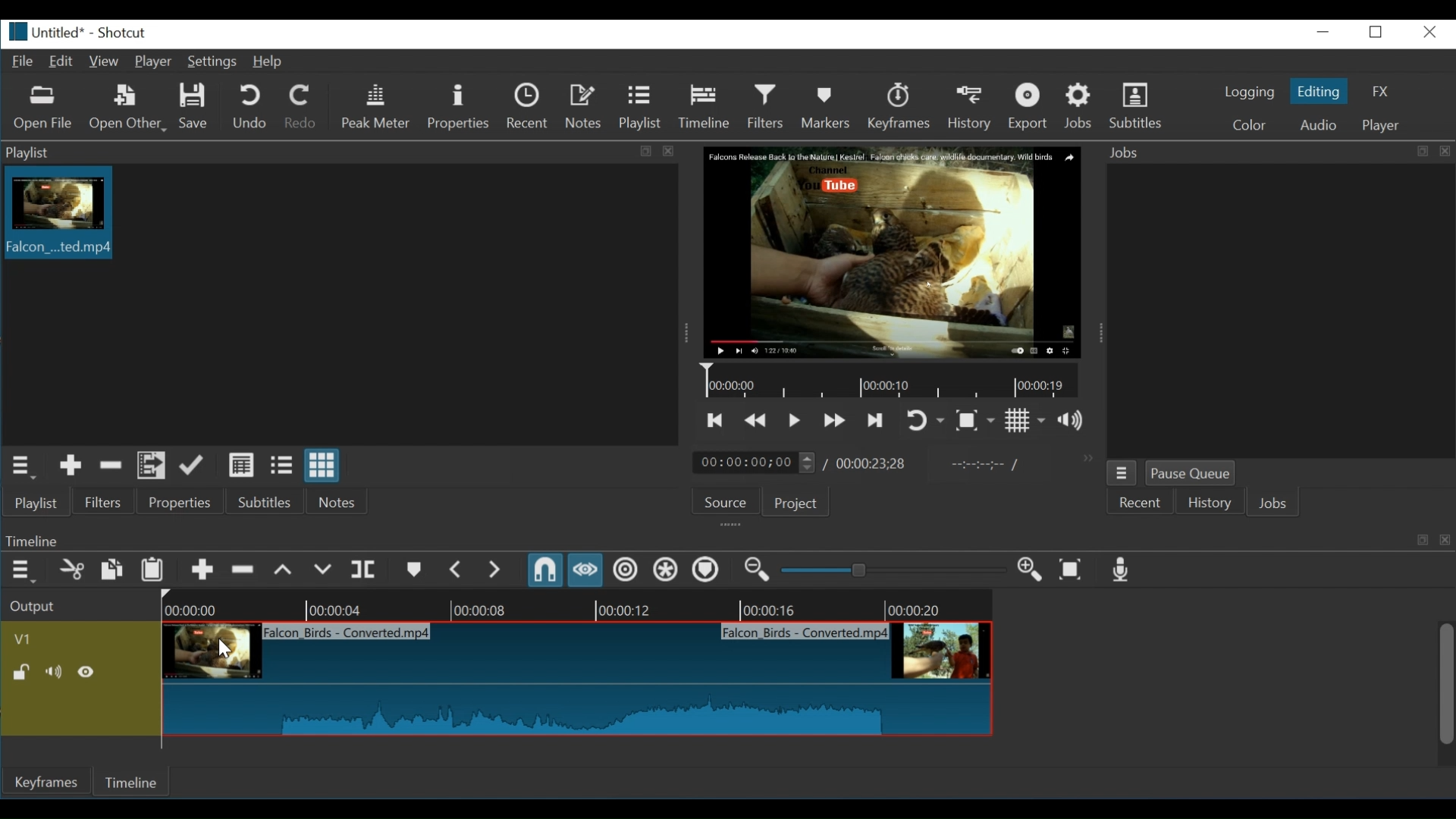 Image resolution: width=1456 pixels, height=819 pixels. Describe the element at coordinates (1190, 474) in the screenshot. I see `Pause Queue` at that location.